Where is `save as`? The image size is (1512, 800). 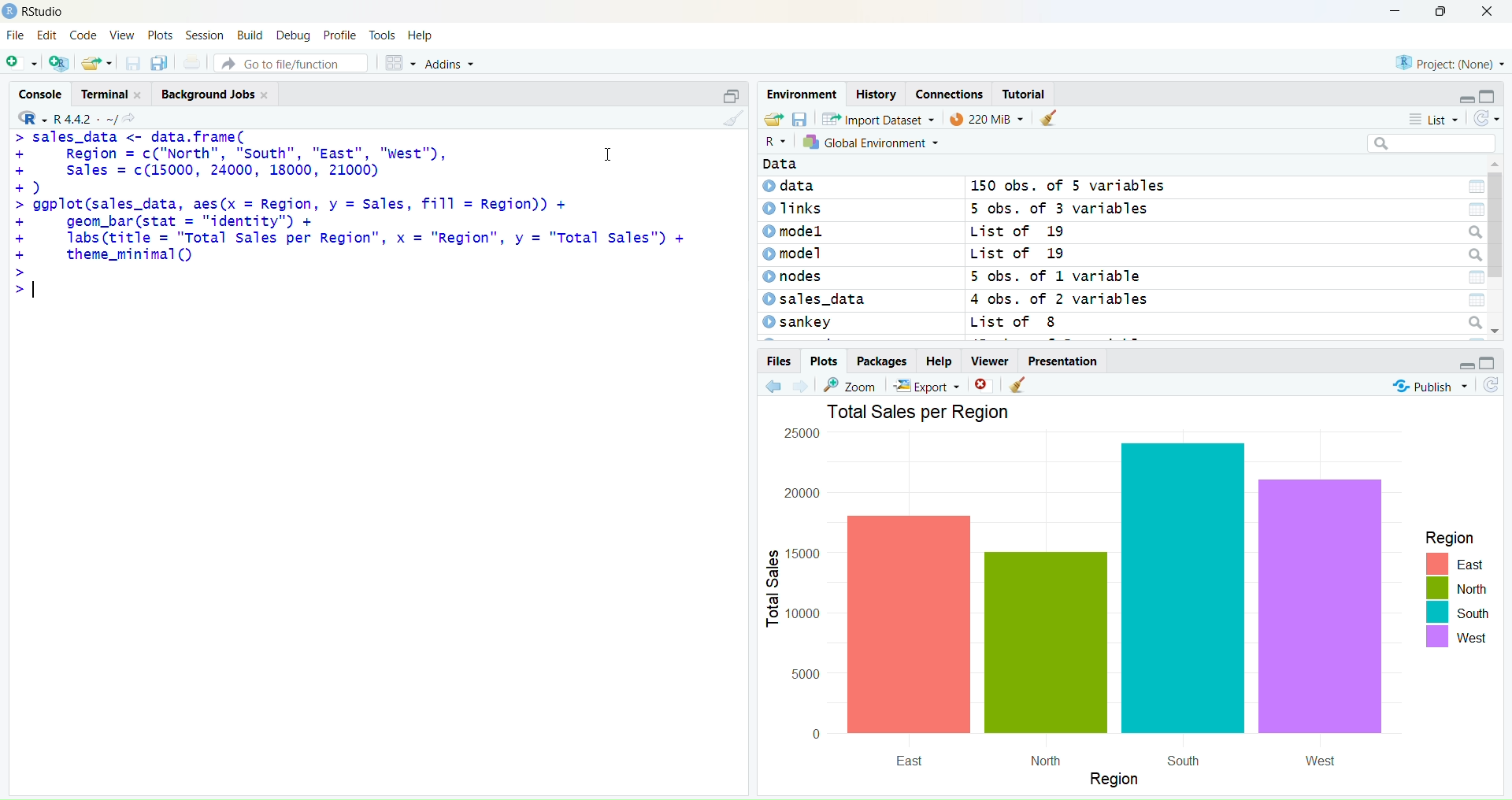 save as is located at coordinates (159, 64).